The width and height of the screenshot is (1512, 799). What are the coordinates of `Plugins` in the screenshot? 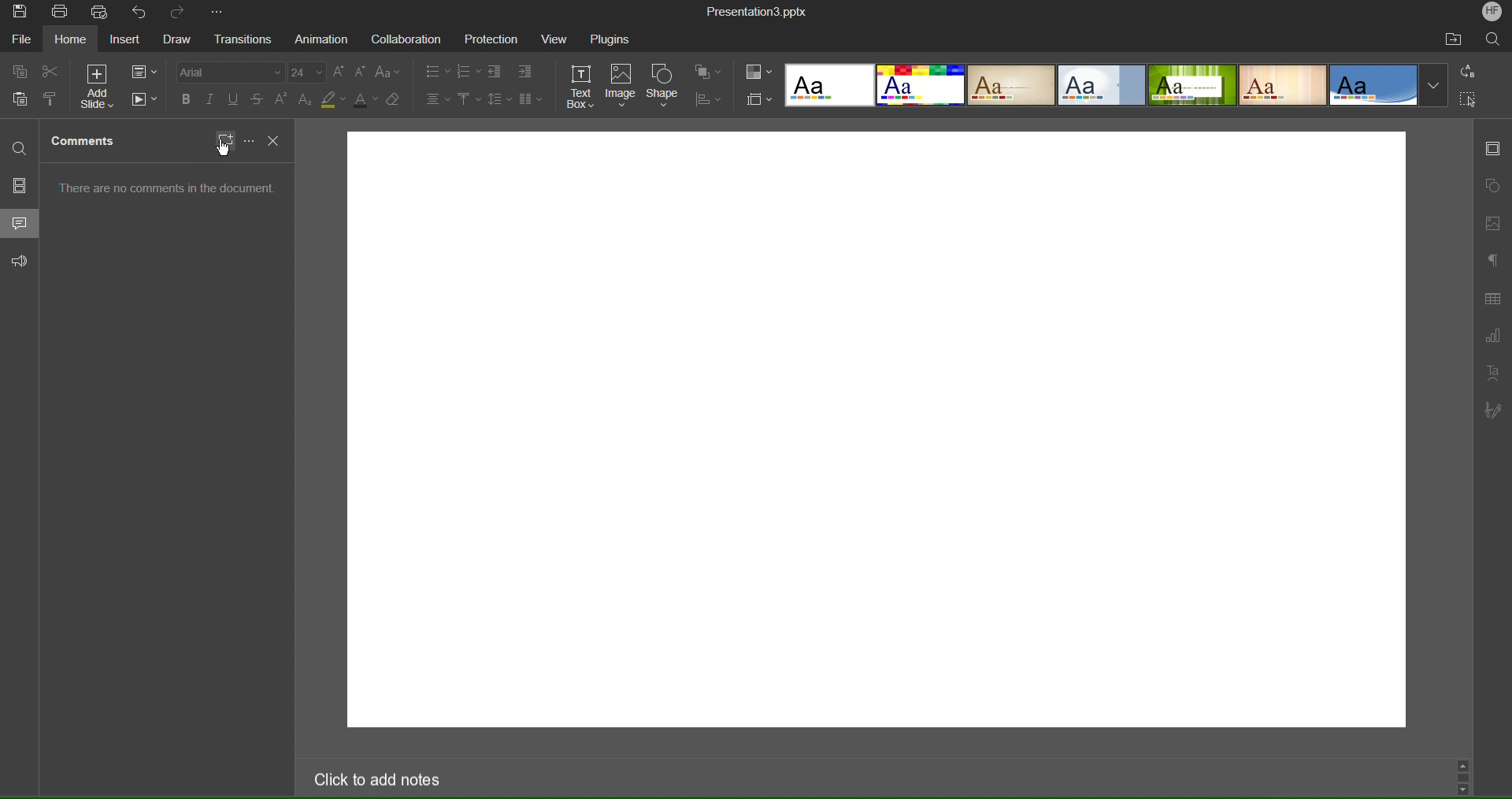 It's located at (617, 39).